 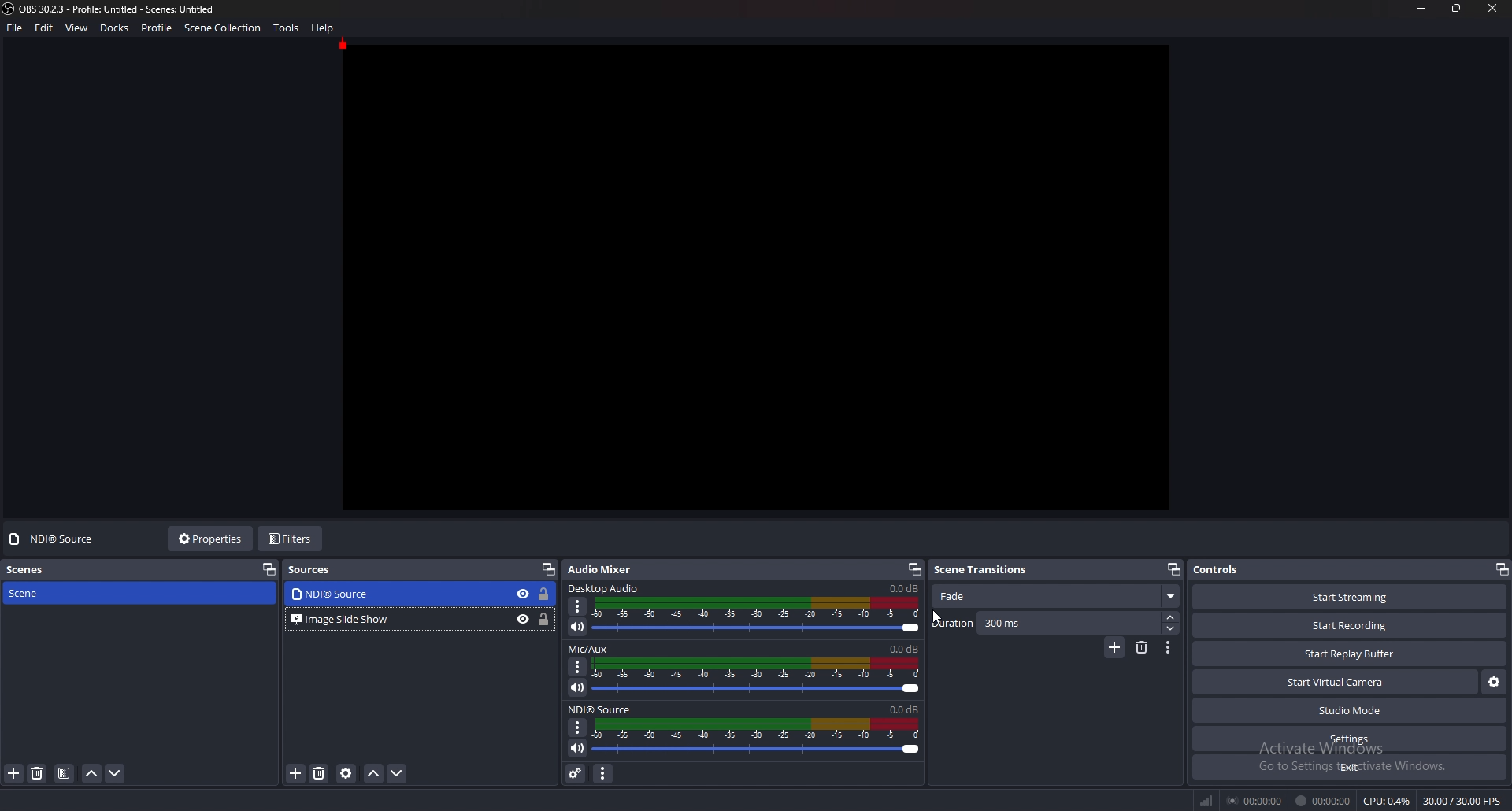 I want to click on filter, so click(x=63, y=773).